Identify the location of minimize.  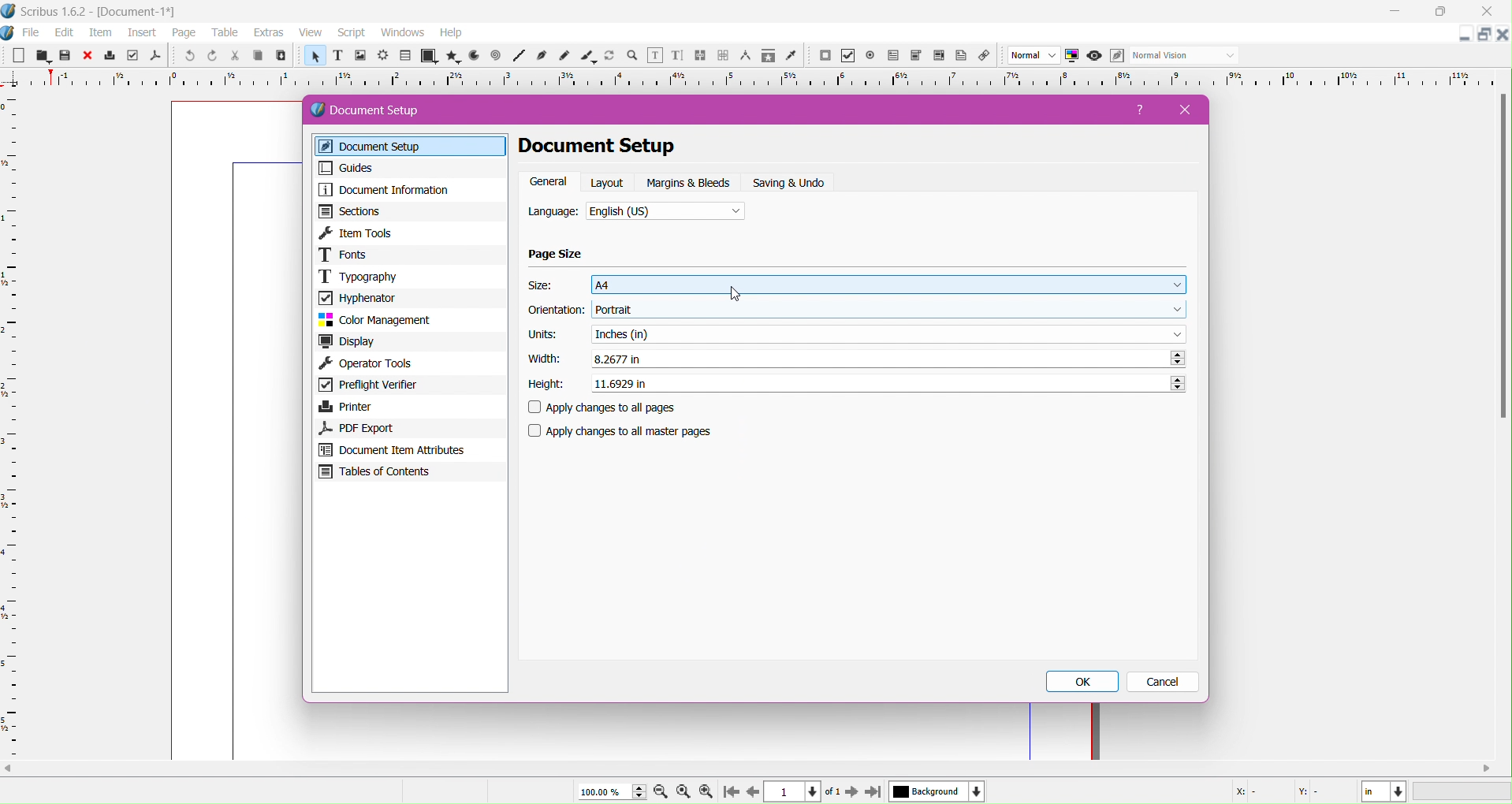
(1395, 12).